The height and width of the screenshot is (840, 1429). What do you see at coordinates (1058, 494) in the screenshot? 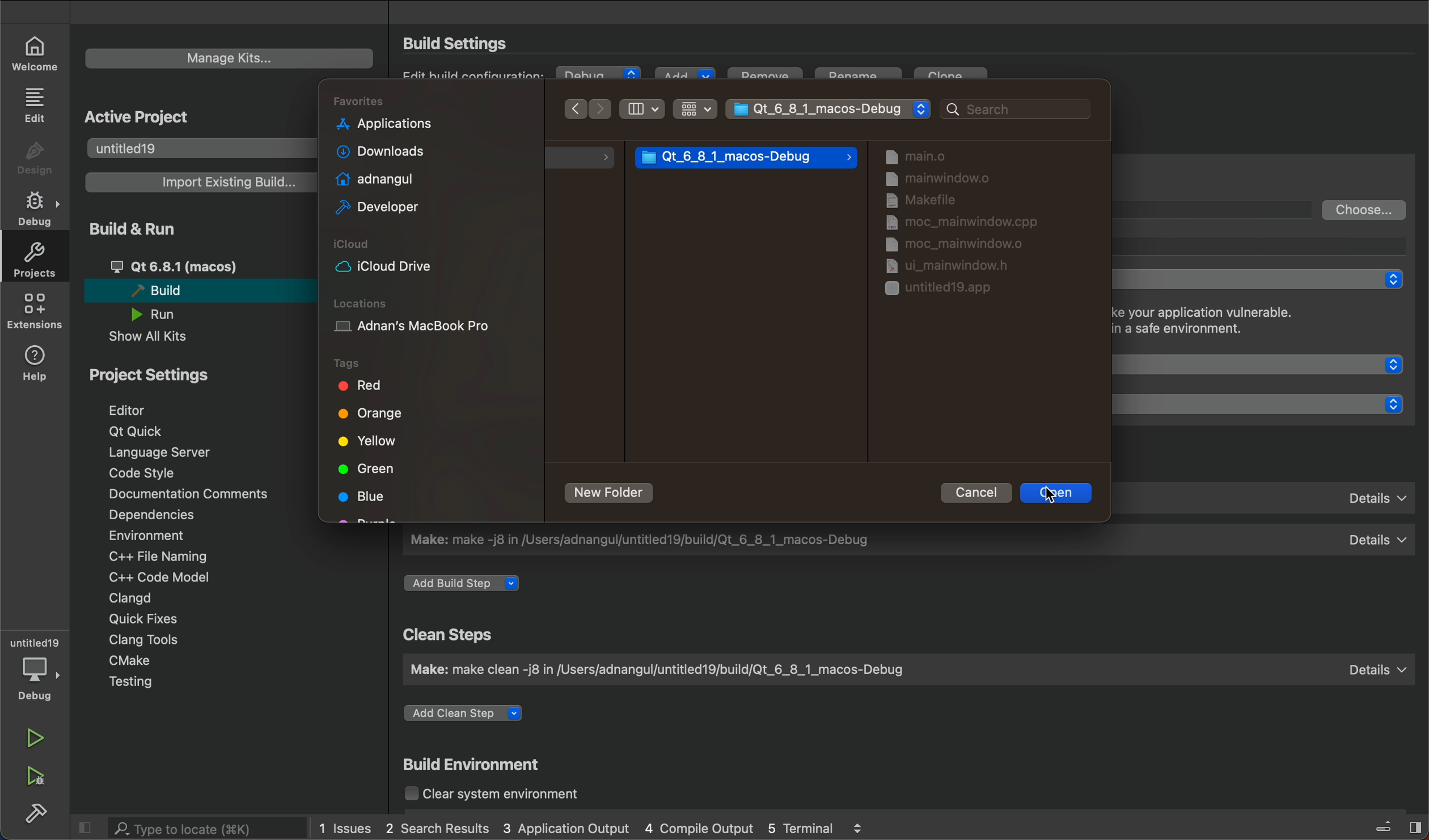
I see `open` at bounding box center [1058, 494].